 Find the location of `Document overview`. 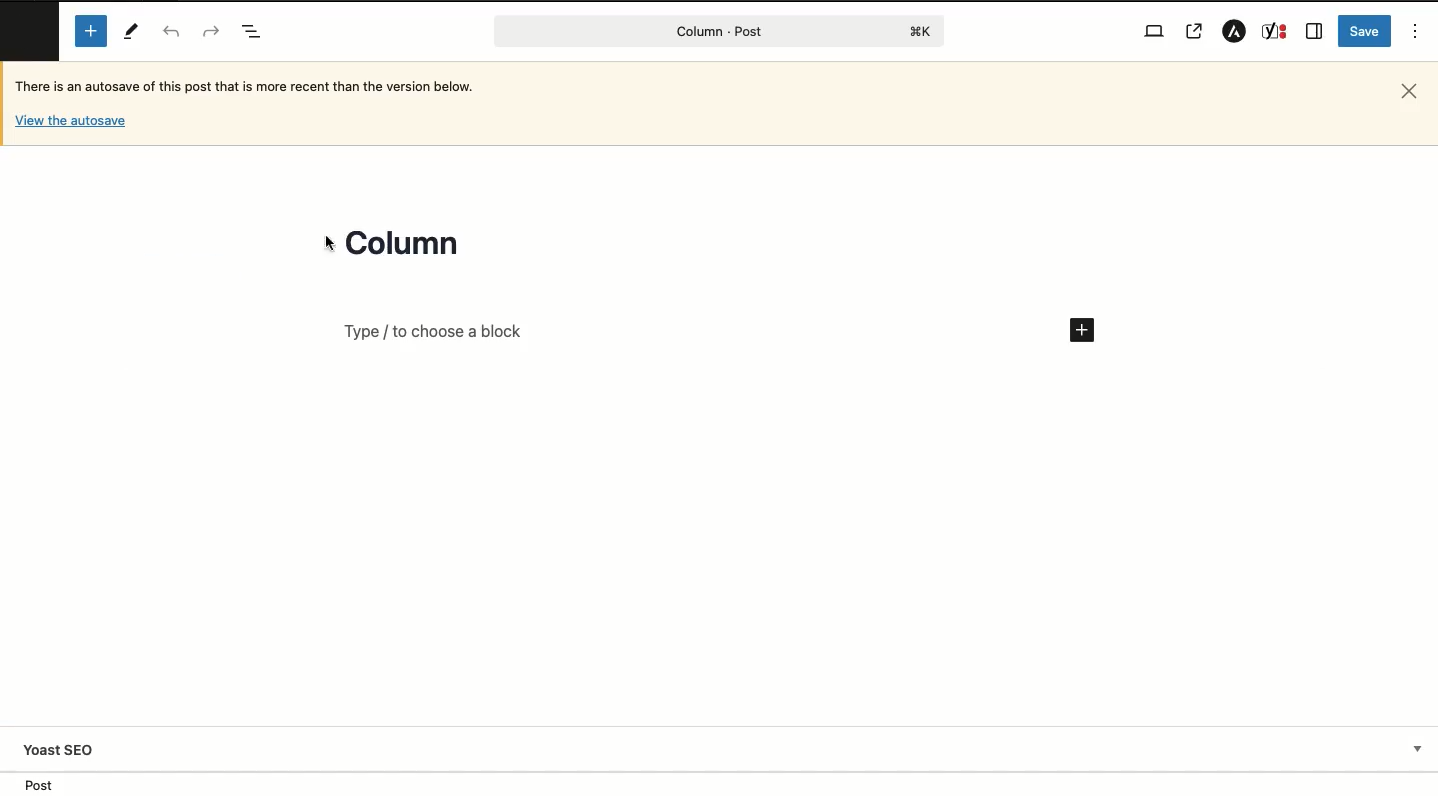

Document overview is located at coordinates (252, 29).